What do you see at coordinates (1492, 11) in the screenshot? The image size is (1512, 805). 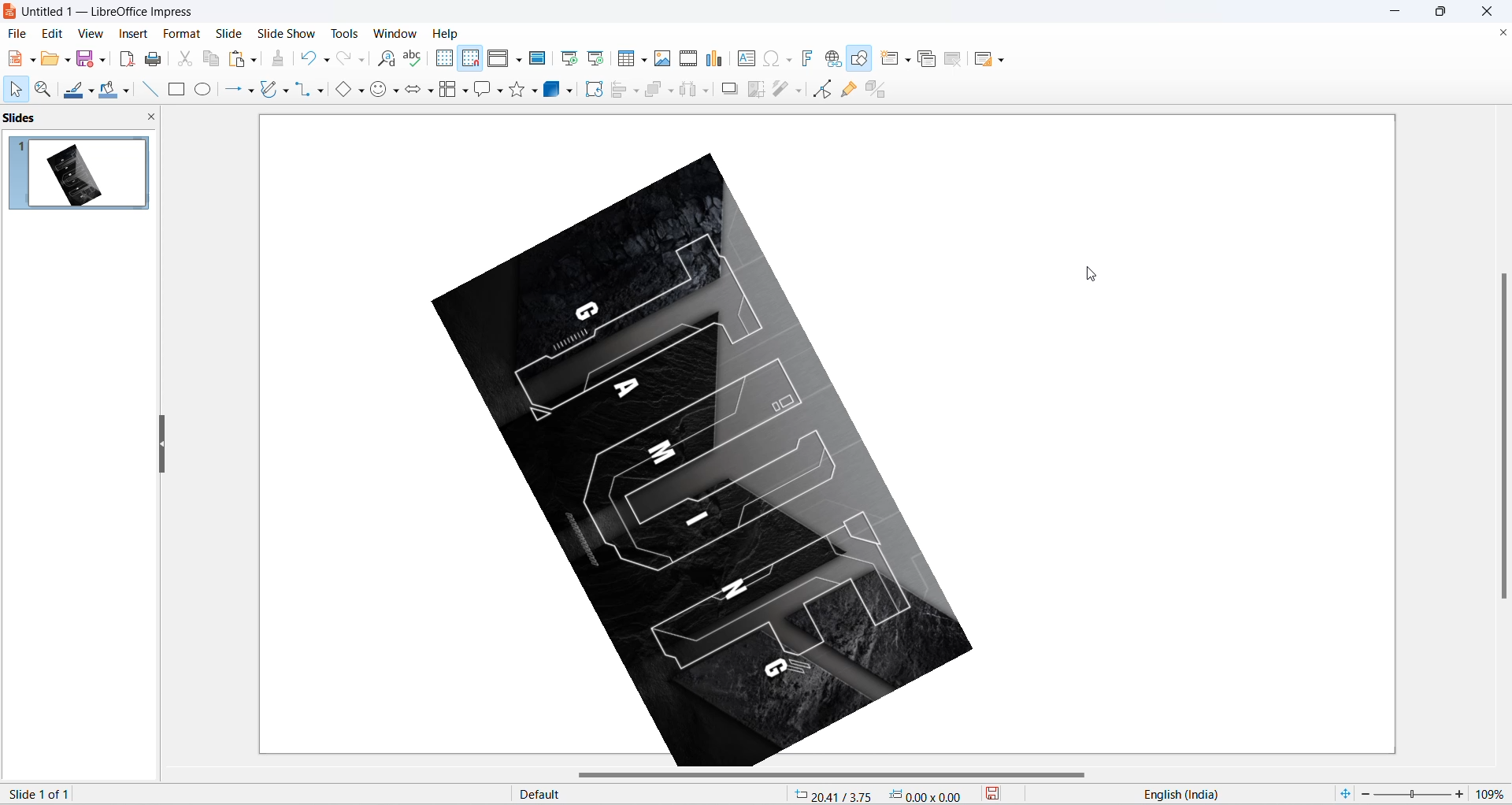 I see `close` at bounding box center [1492, 11].